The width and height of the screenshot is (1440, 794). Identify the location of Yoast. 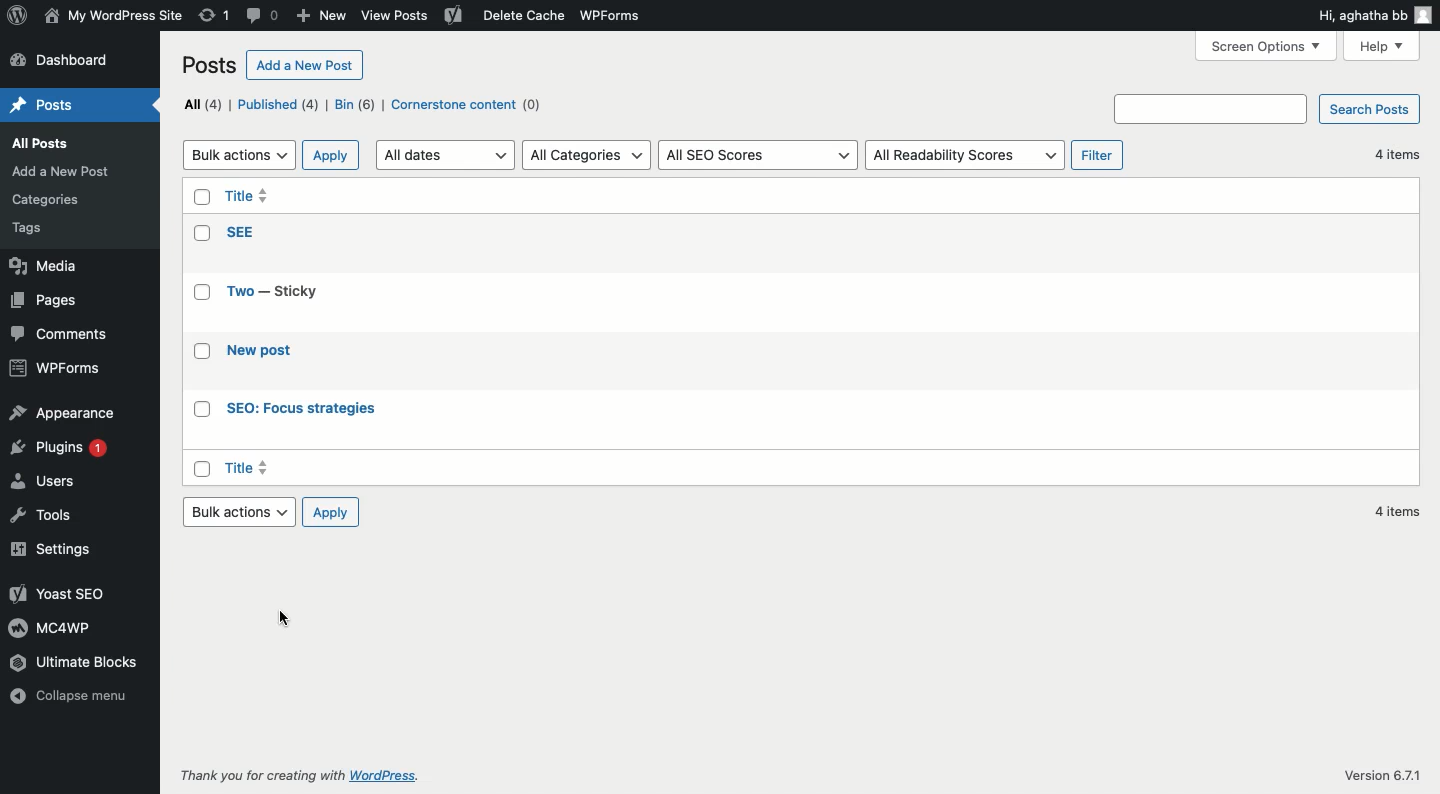
(454, 17).